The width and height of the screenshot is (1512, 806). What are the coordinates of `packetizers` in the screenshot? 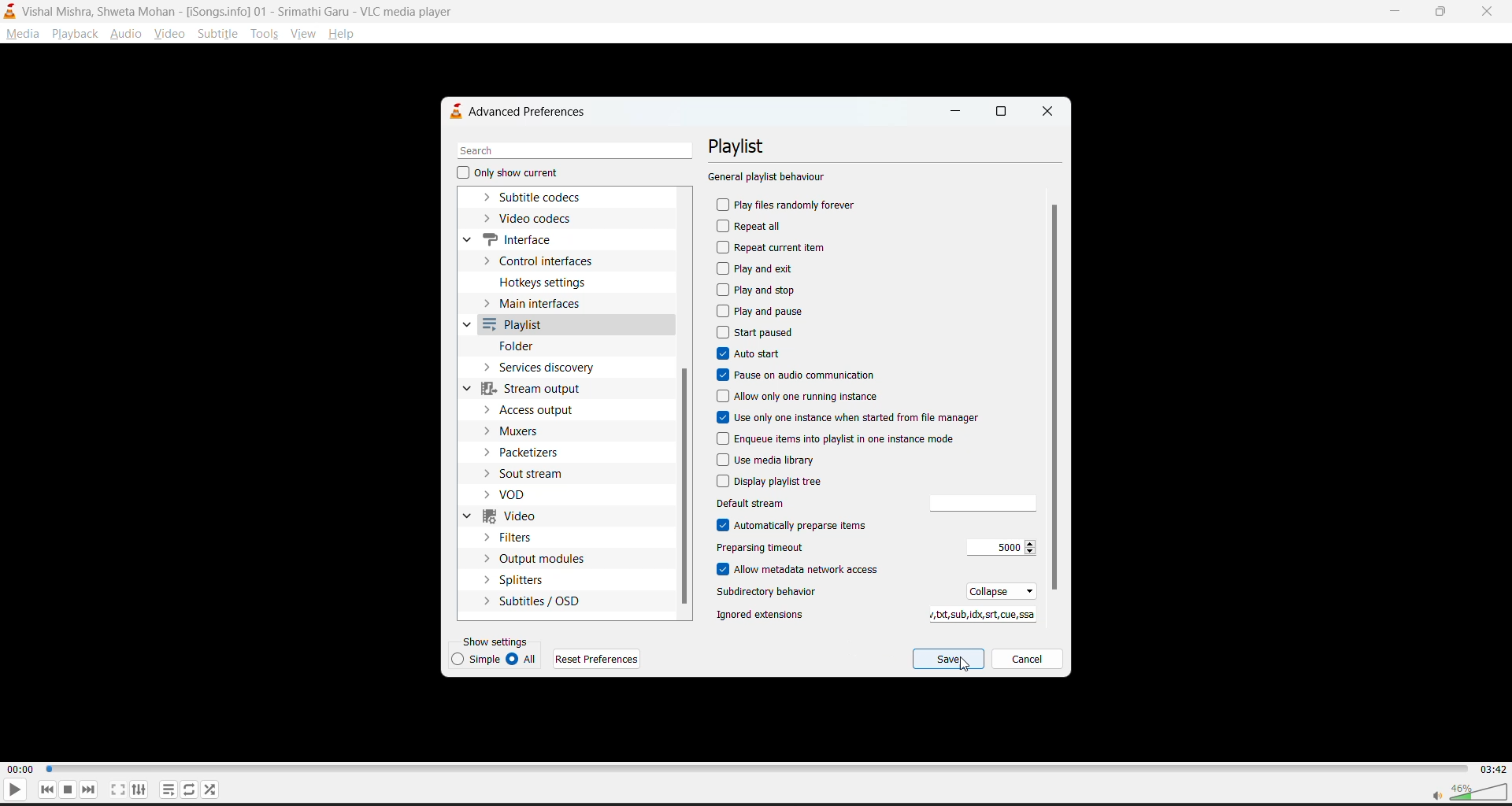 It's located at (536, 453).